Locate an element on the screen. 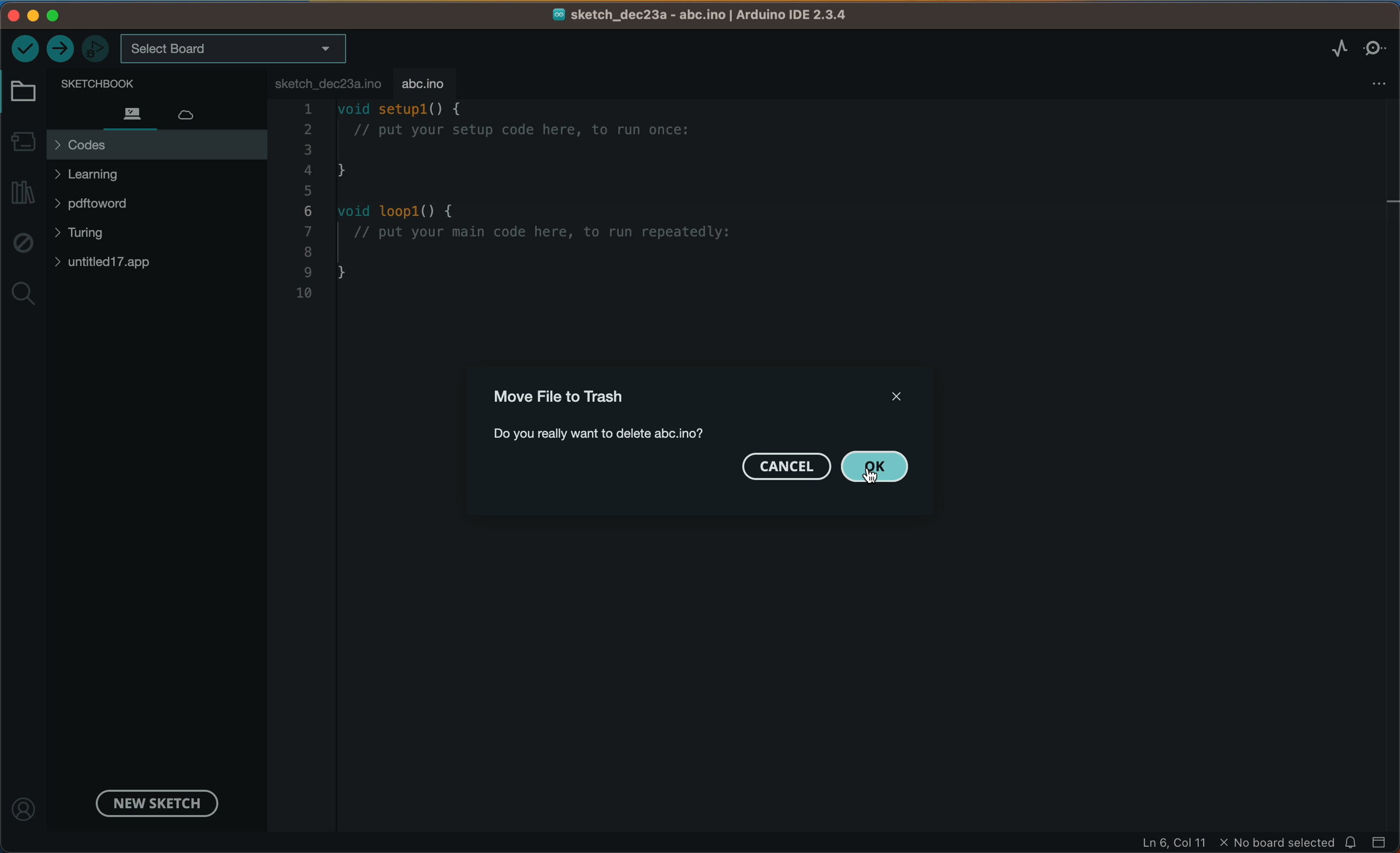 Image resolution: width=1400 pixels, height=853 pixels. close is located at coordinates (889, 392).